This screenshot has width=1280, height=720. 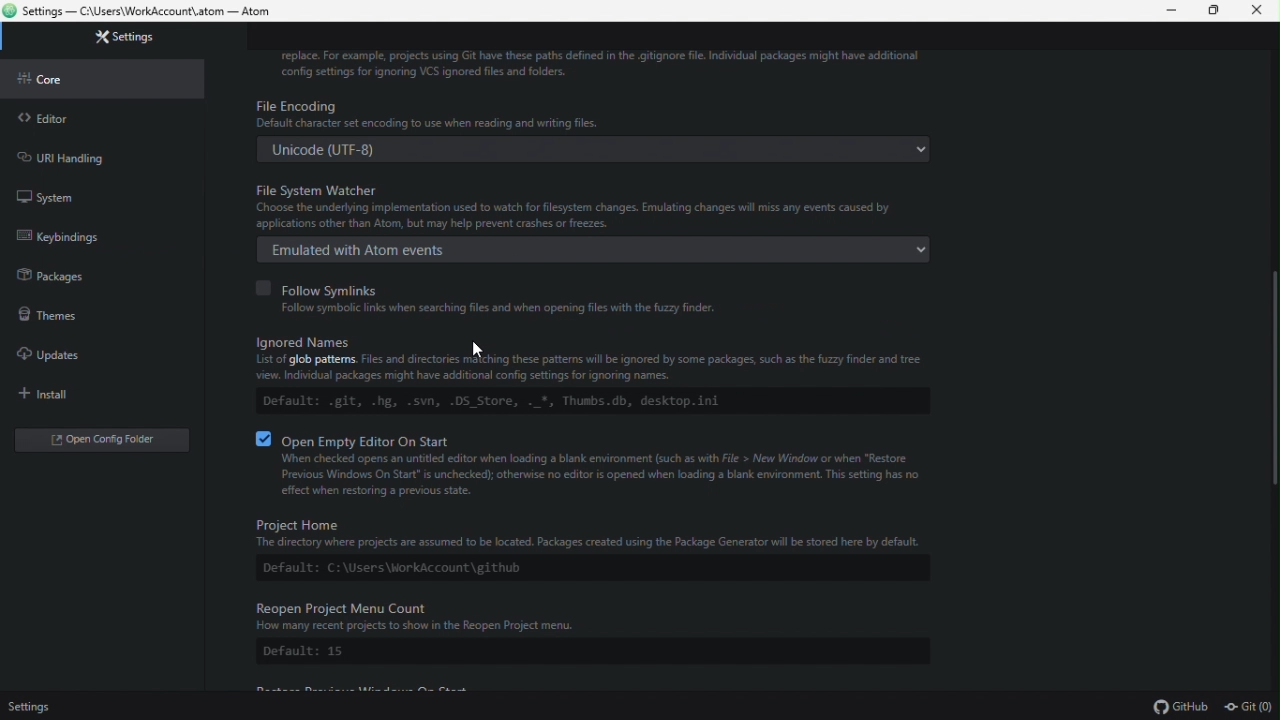 I want to click on close, so click(x=1258, y=11).